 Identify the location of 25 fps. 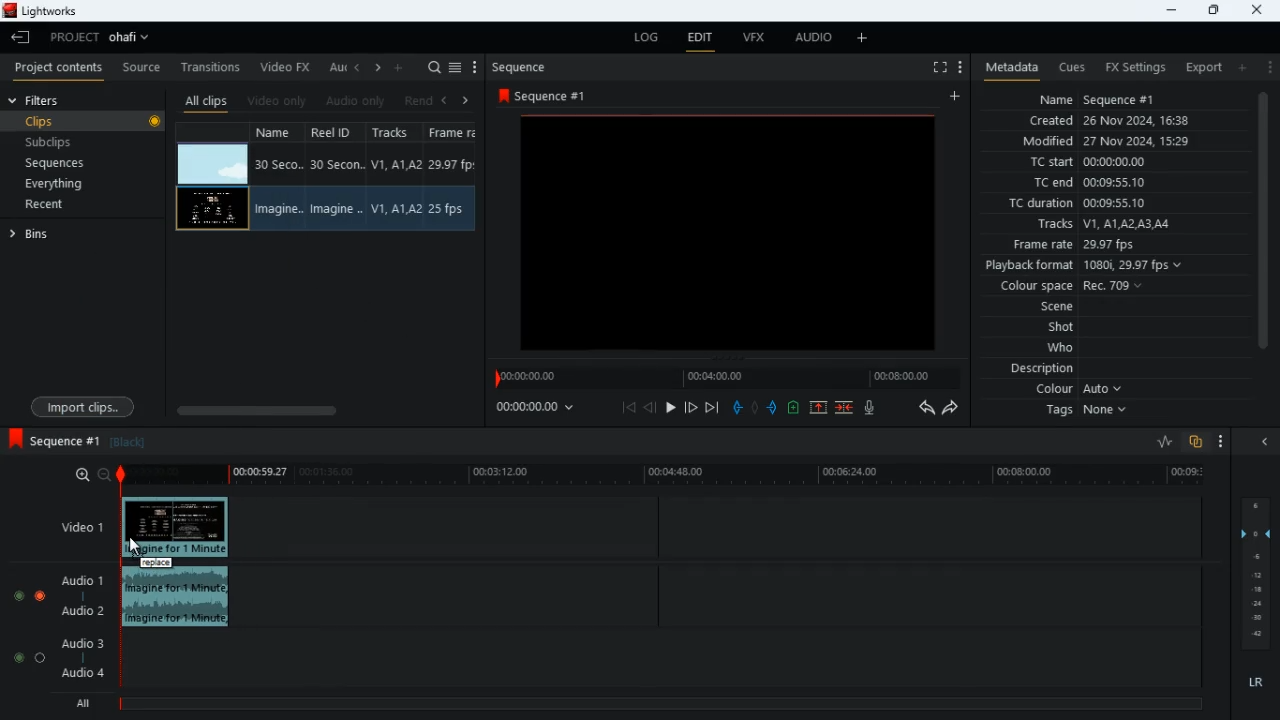
(450, 210).